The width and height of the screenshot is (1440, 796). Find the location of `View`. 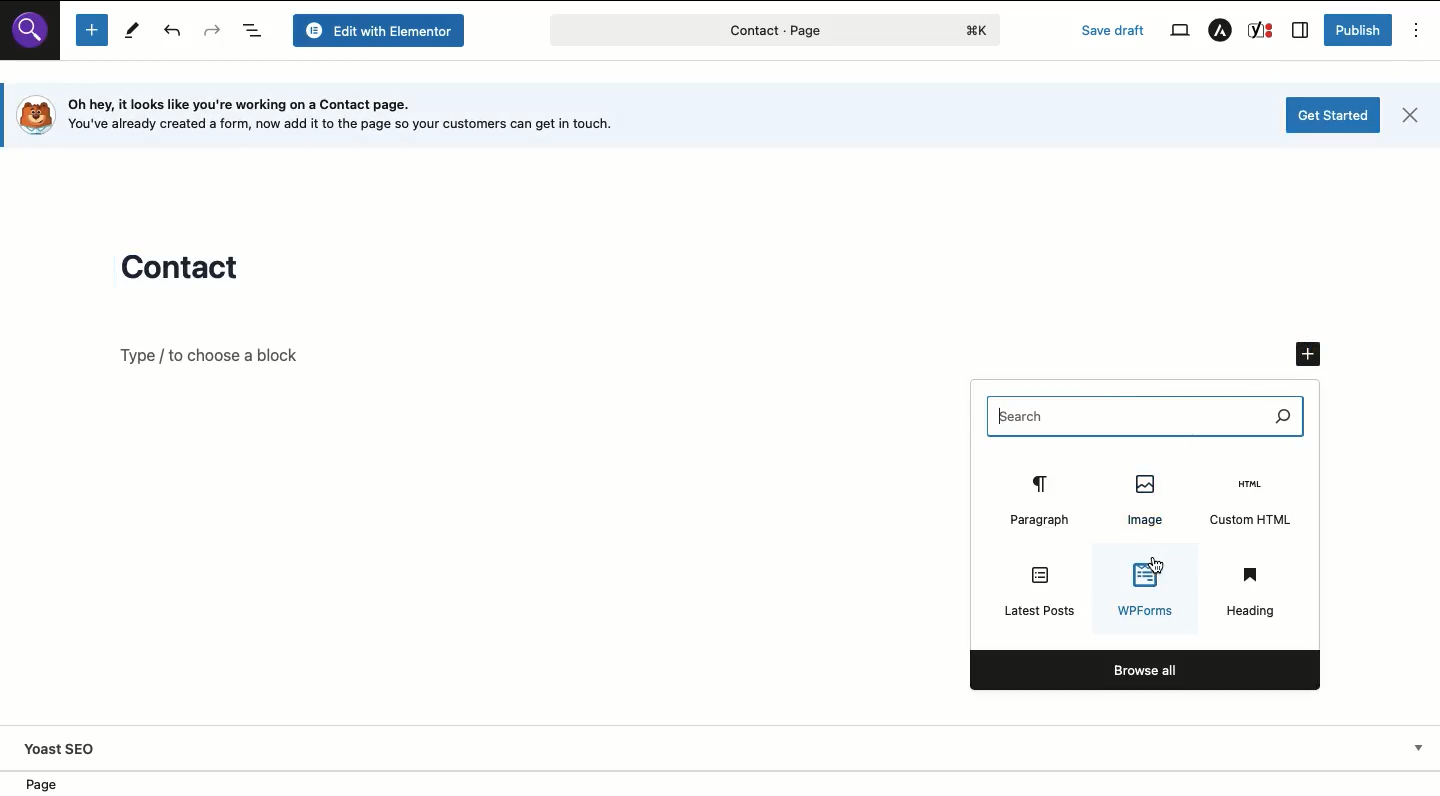

View is located at coordinates (1178, 29).